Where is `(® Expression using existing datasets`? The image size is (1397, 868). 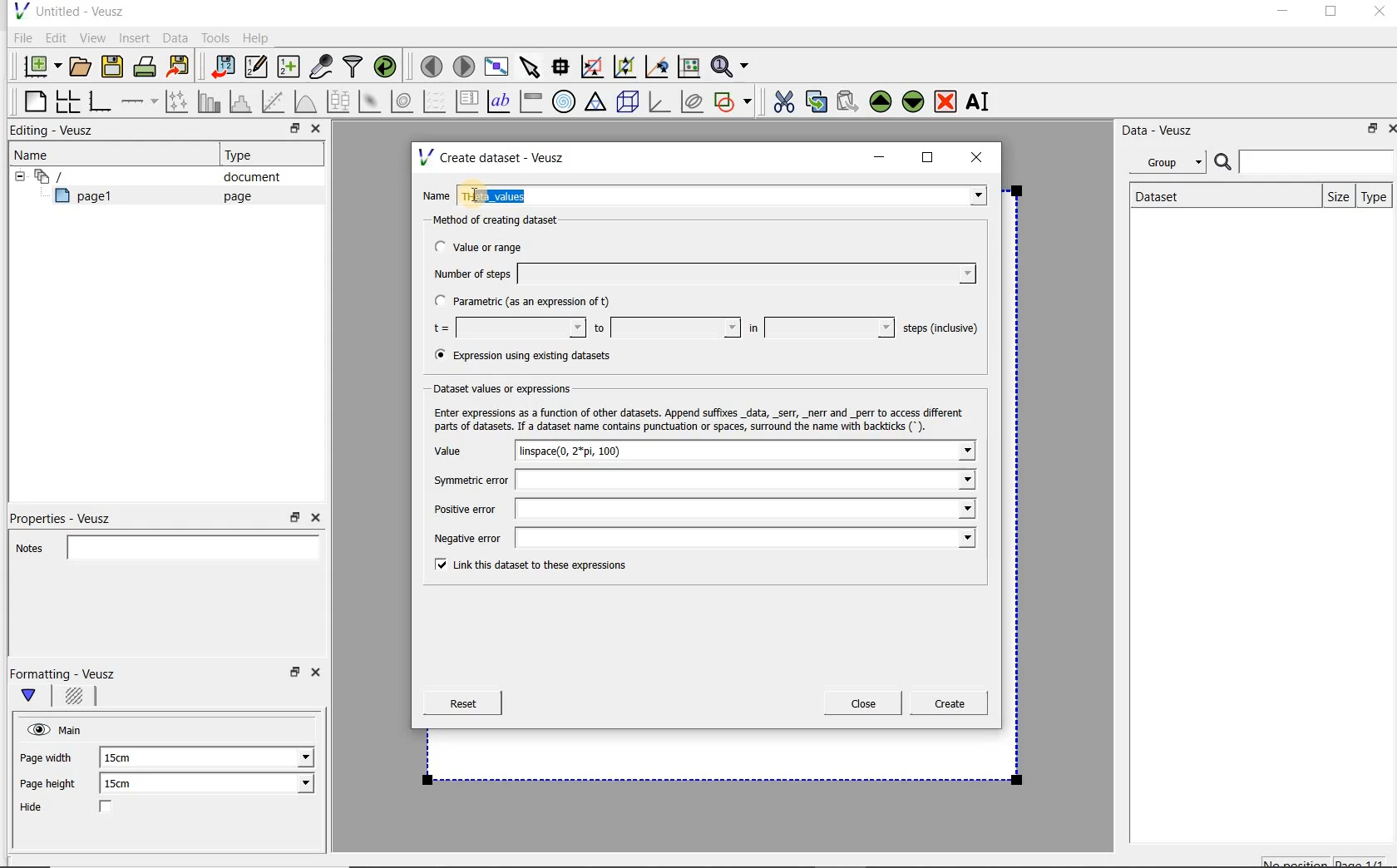 (® Expression using existing datasets is located at coordinates (535, 356).